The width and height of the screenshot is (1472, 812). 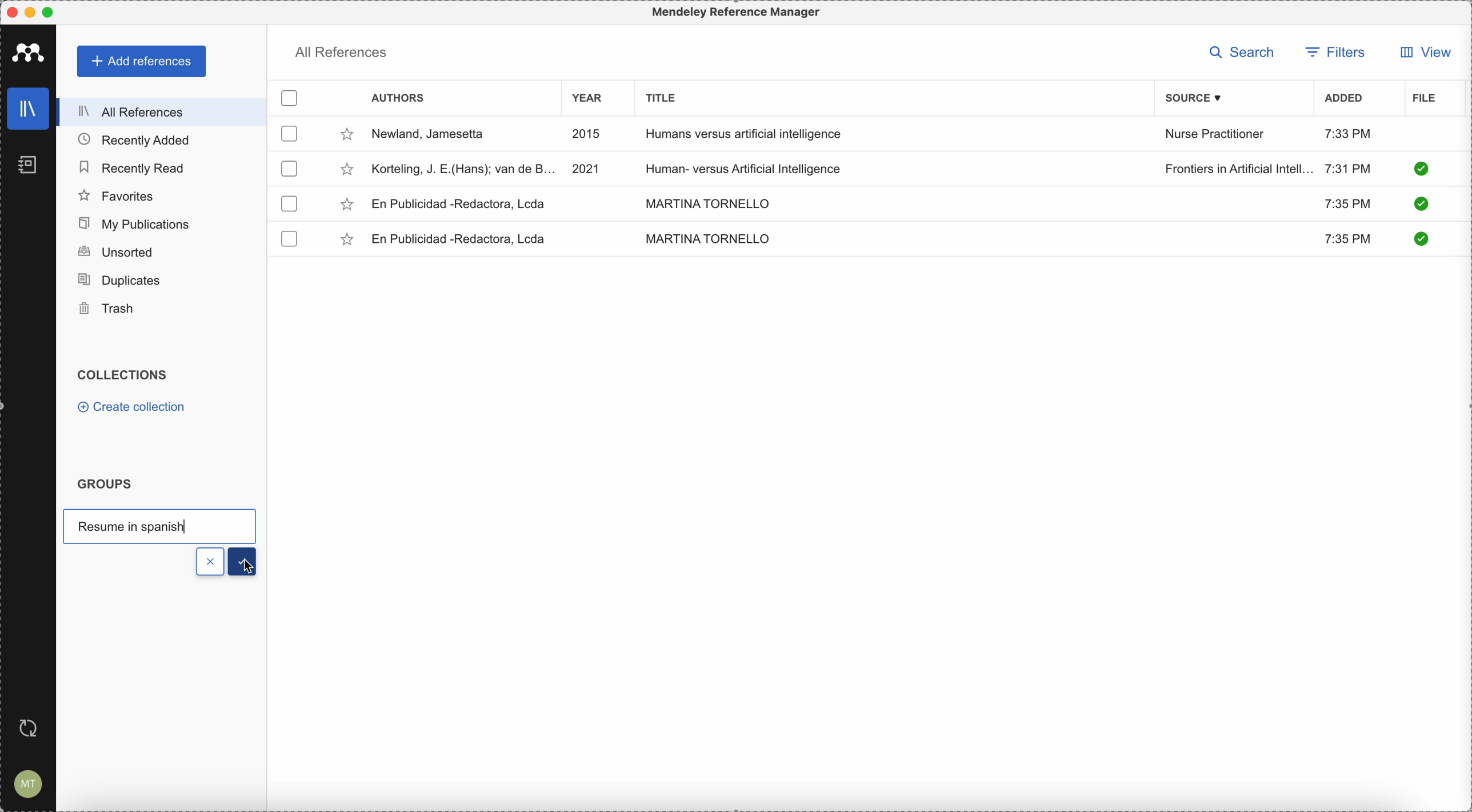 What do you see at coordinates (463, 239) in the screenshot?
I see `En Publicidad-Redactora, Lcda` at bounding box center [463, 239].